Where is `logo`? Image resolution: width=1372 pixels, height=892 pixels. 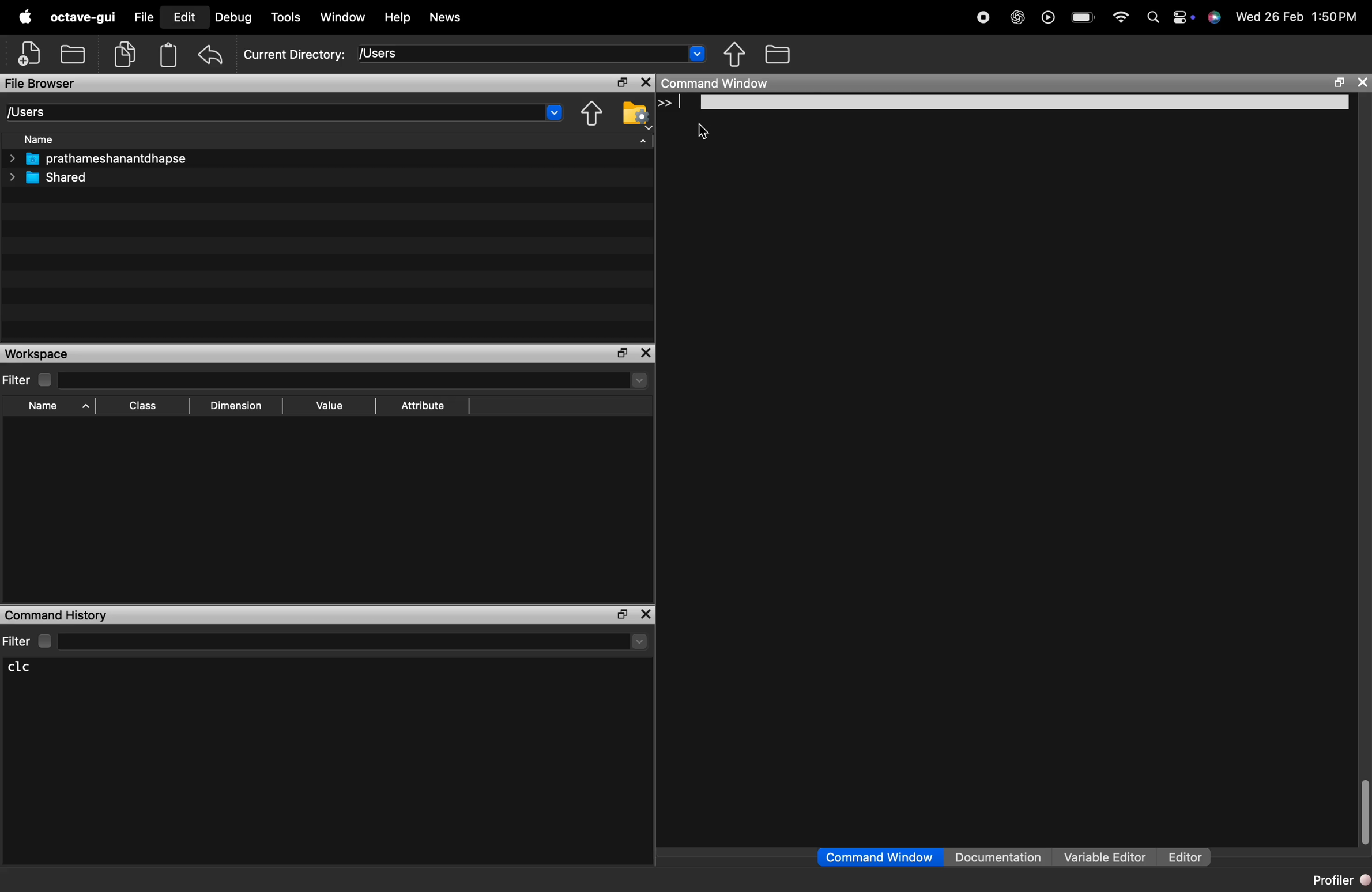 logo is located at coordinates (25, 17).